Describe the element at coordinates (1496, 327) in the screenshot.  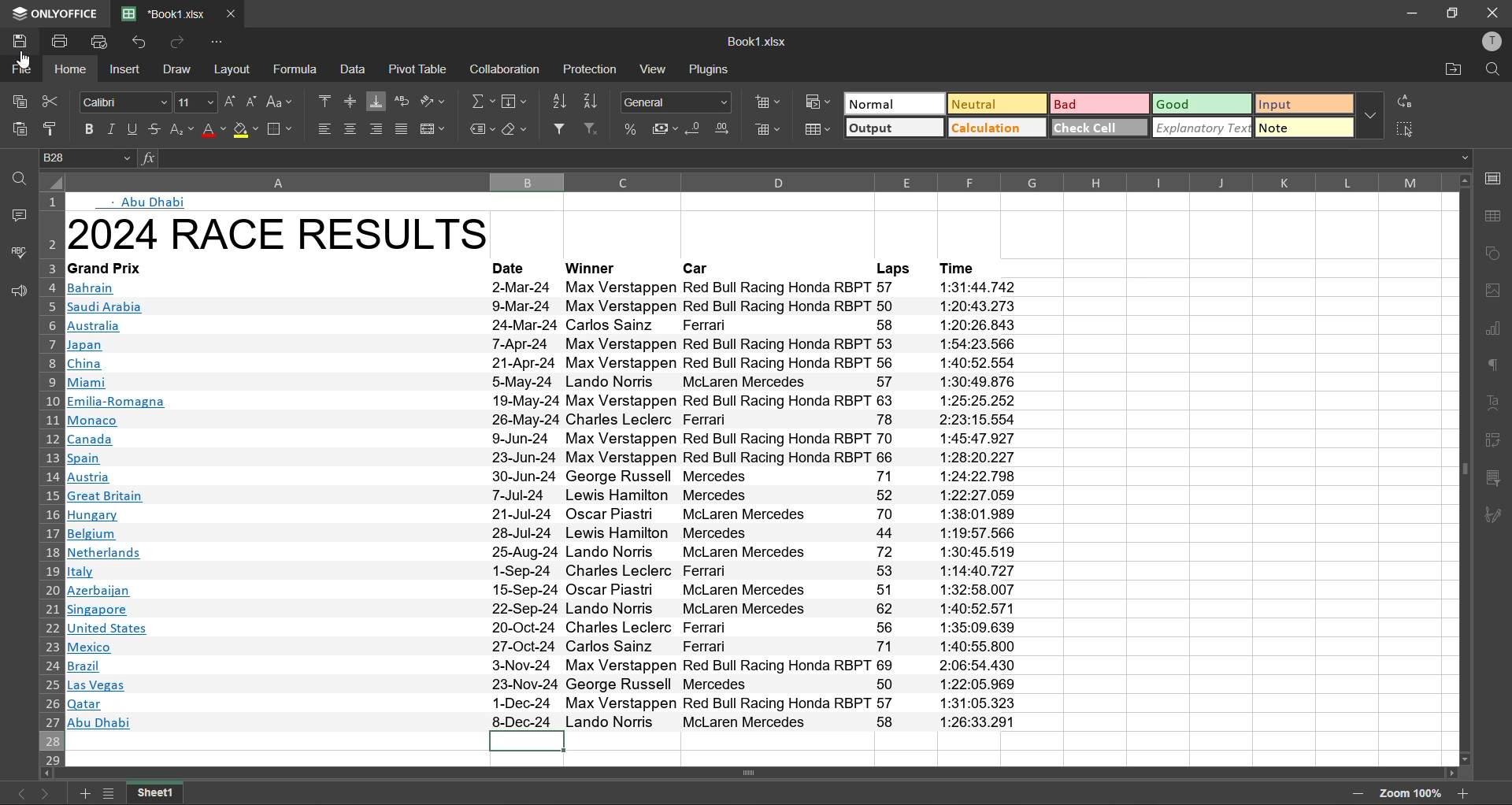
I see `chart` at that location.